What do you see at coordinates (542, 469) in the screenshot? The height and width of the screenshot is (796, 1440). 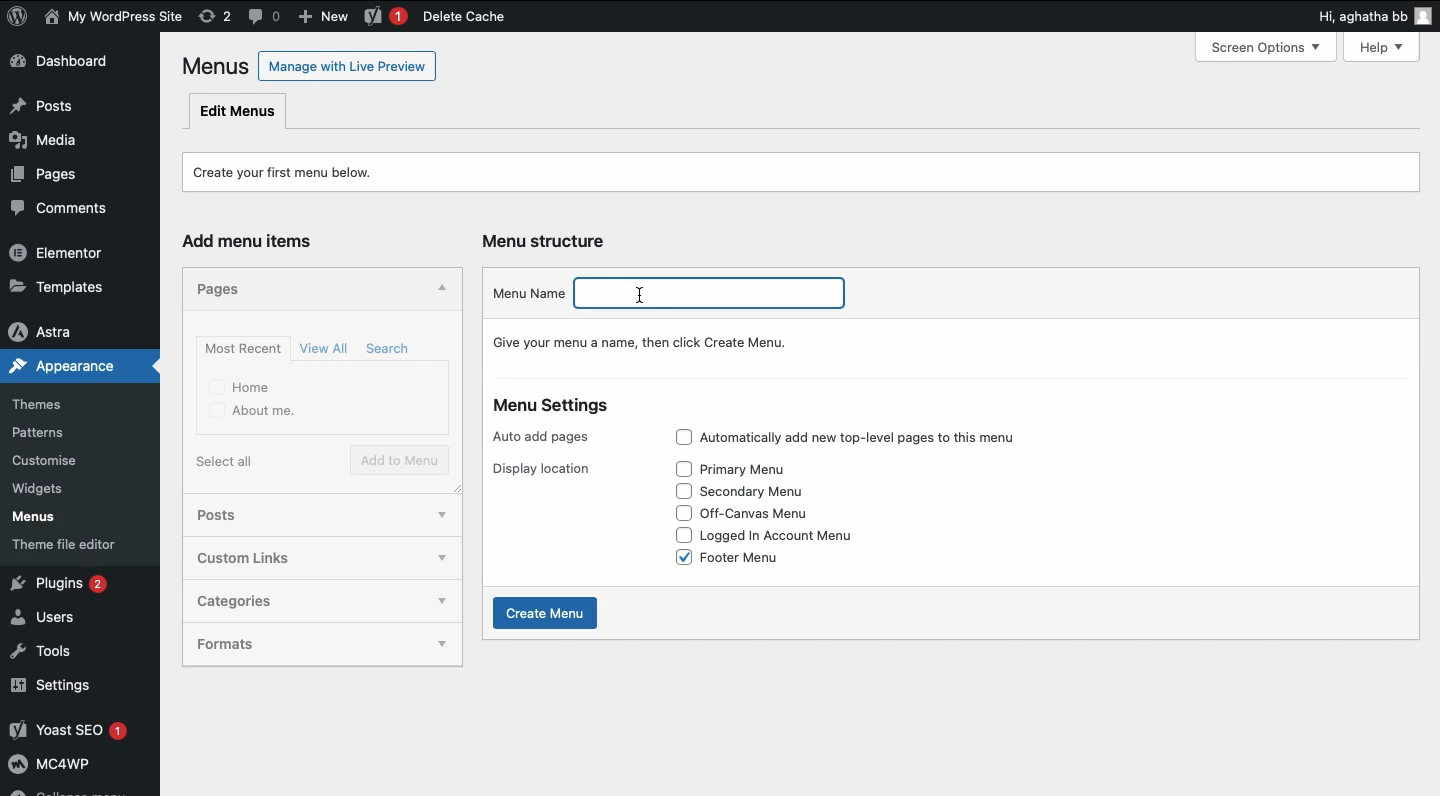 I see `Display location` at bounding box center [542, 469].